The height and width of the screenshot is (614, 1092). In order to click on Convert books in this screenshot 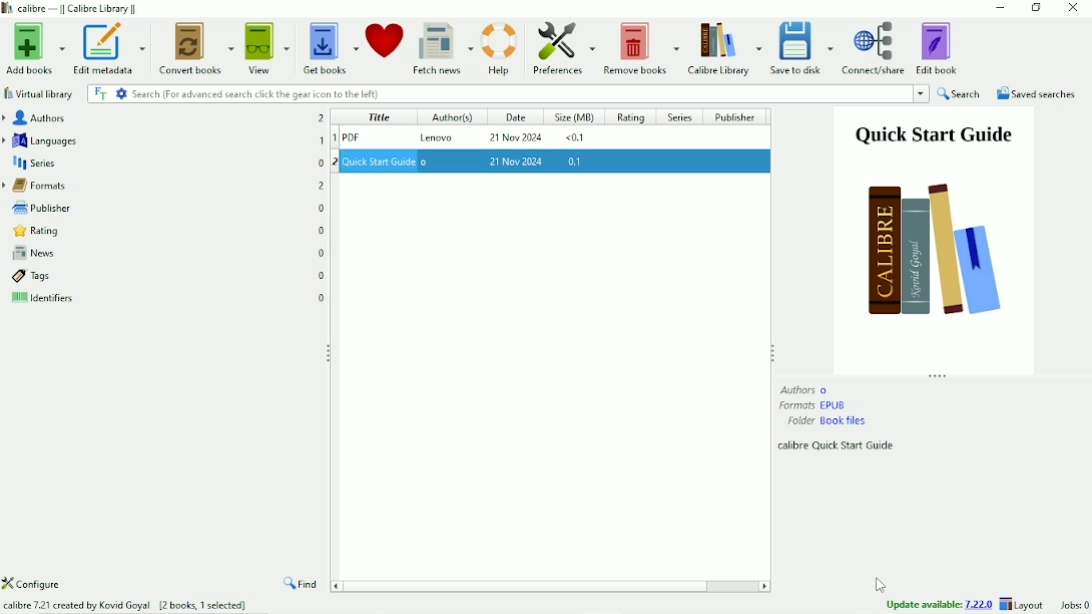, I will do `click(197, 46)`.